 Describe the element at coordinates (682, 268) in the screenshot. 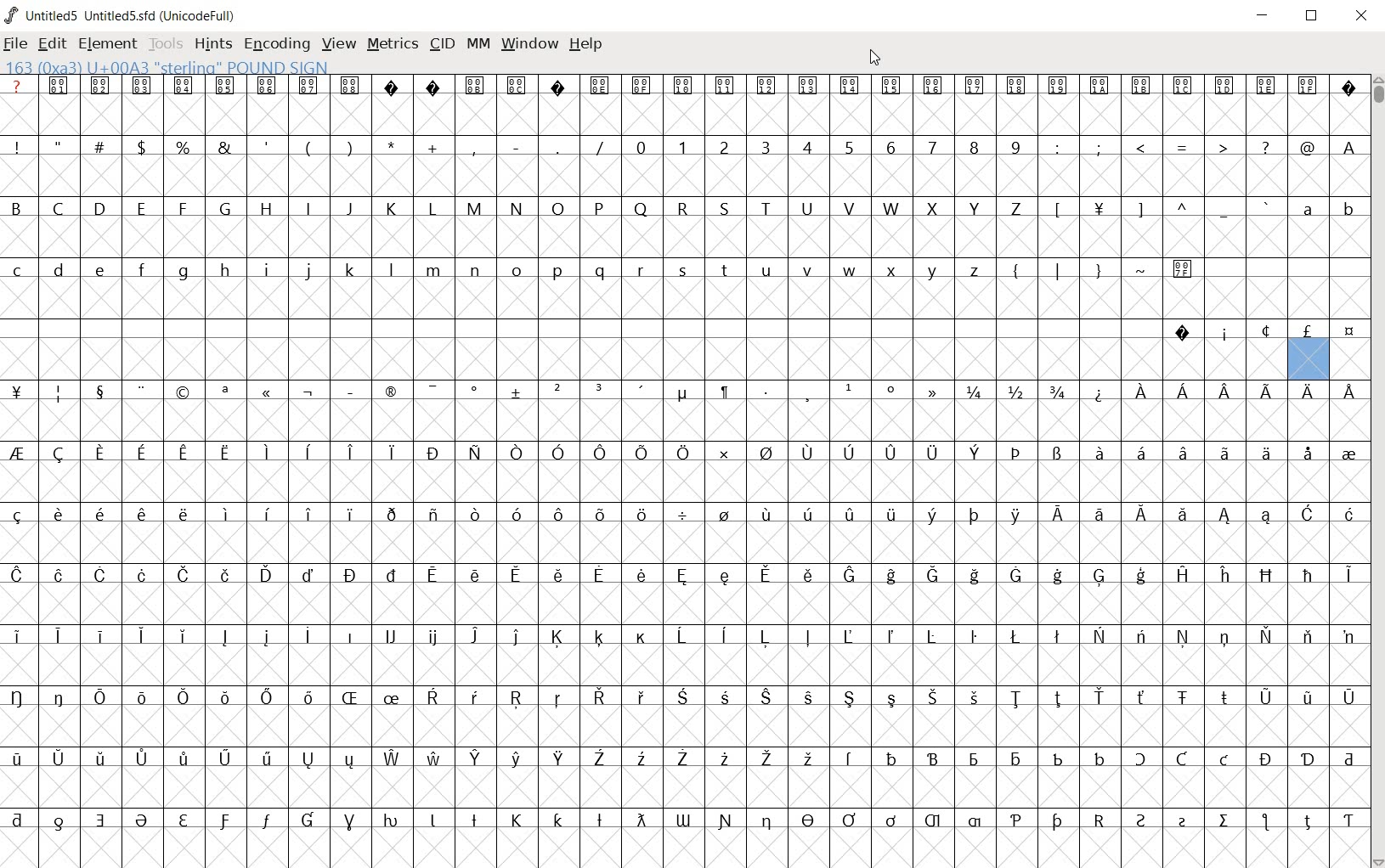

I see `s` at that location.